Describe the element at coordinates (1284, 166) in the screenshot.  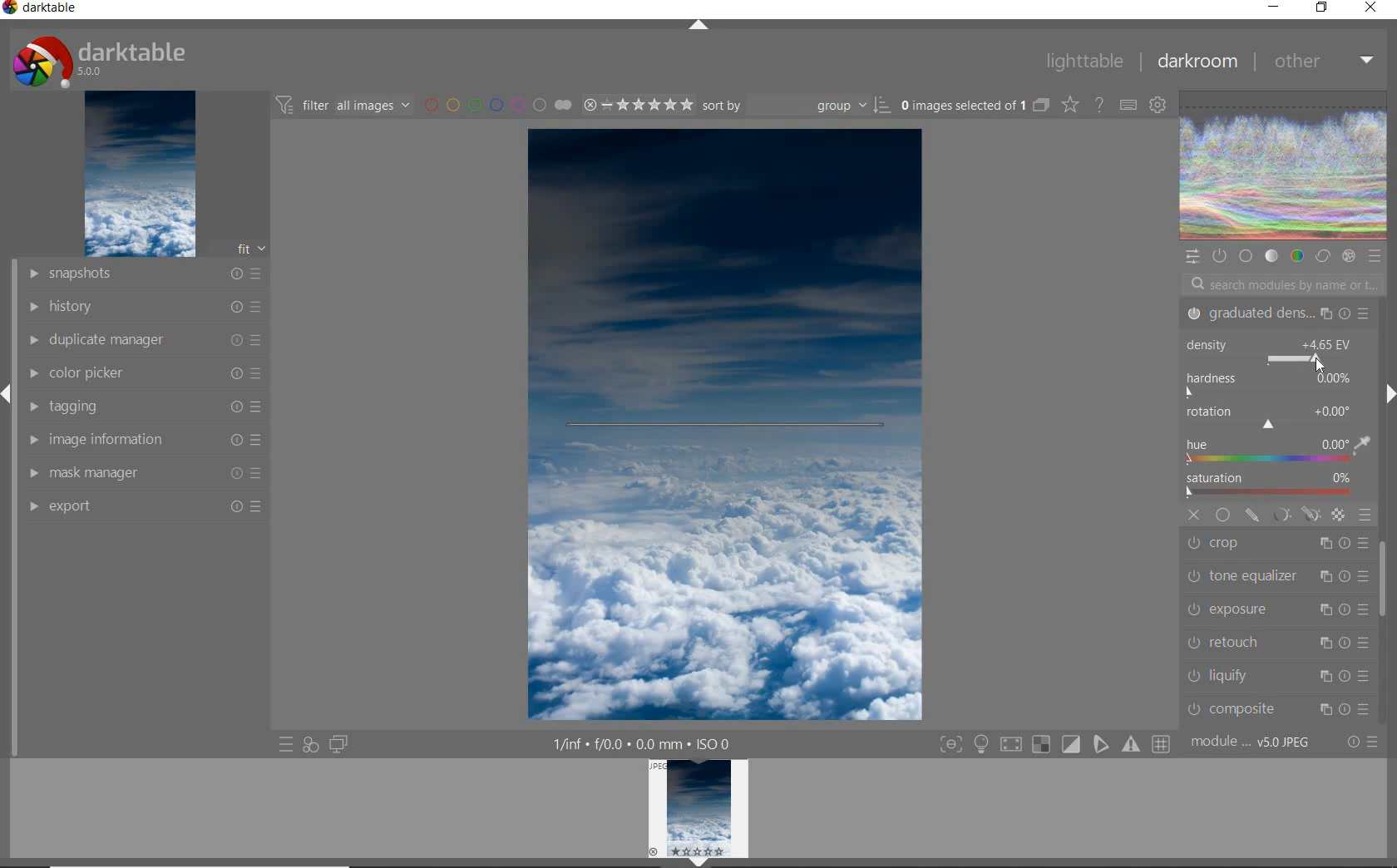
I see `WAVEFORM` at that location.